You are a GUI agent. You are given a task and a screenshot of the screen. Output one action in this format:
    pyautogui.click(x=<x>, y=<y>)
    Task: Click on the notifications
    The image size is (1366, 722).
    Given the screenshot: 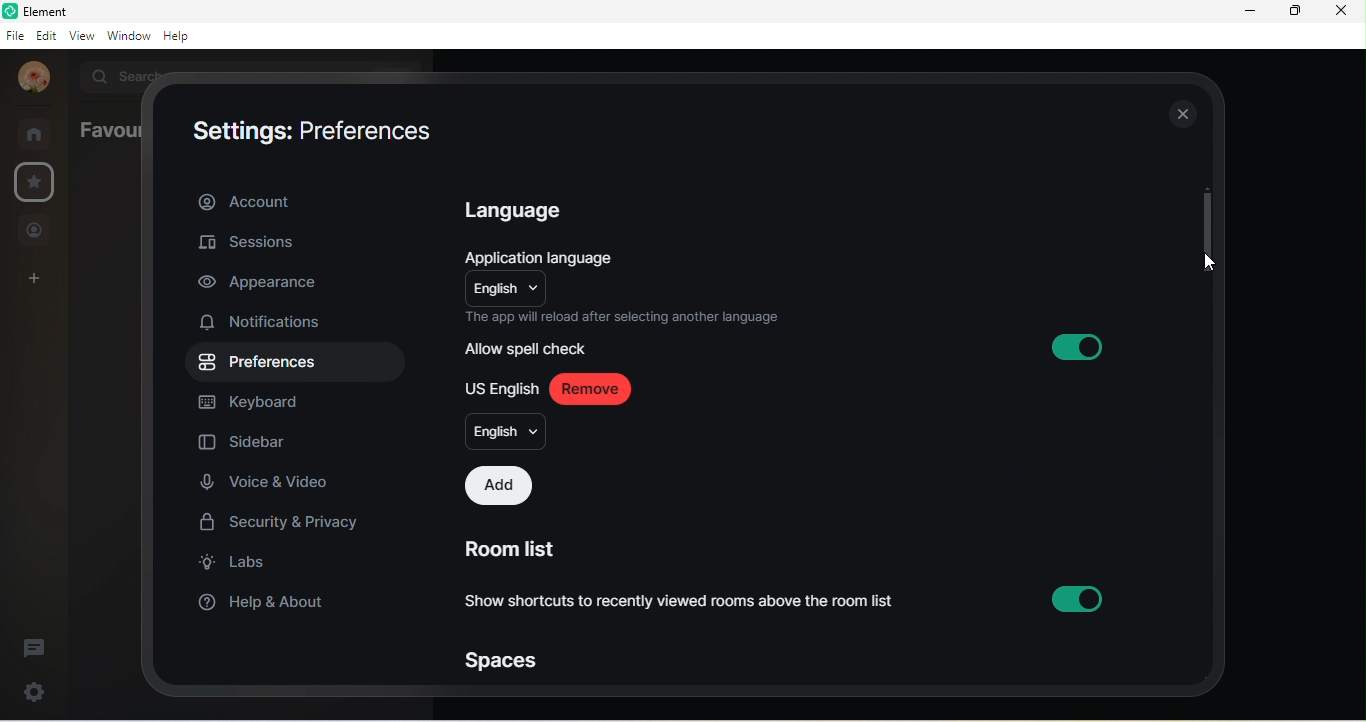 What is the action you would take?
    pyautogui.click(x=270, y=324)
    